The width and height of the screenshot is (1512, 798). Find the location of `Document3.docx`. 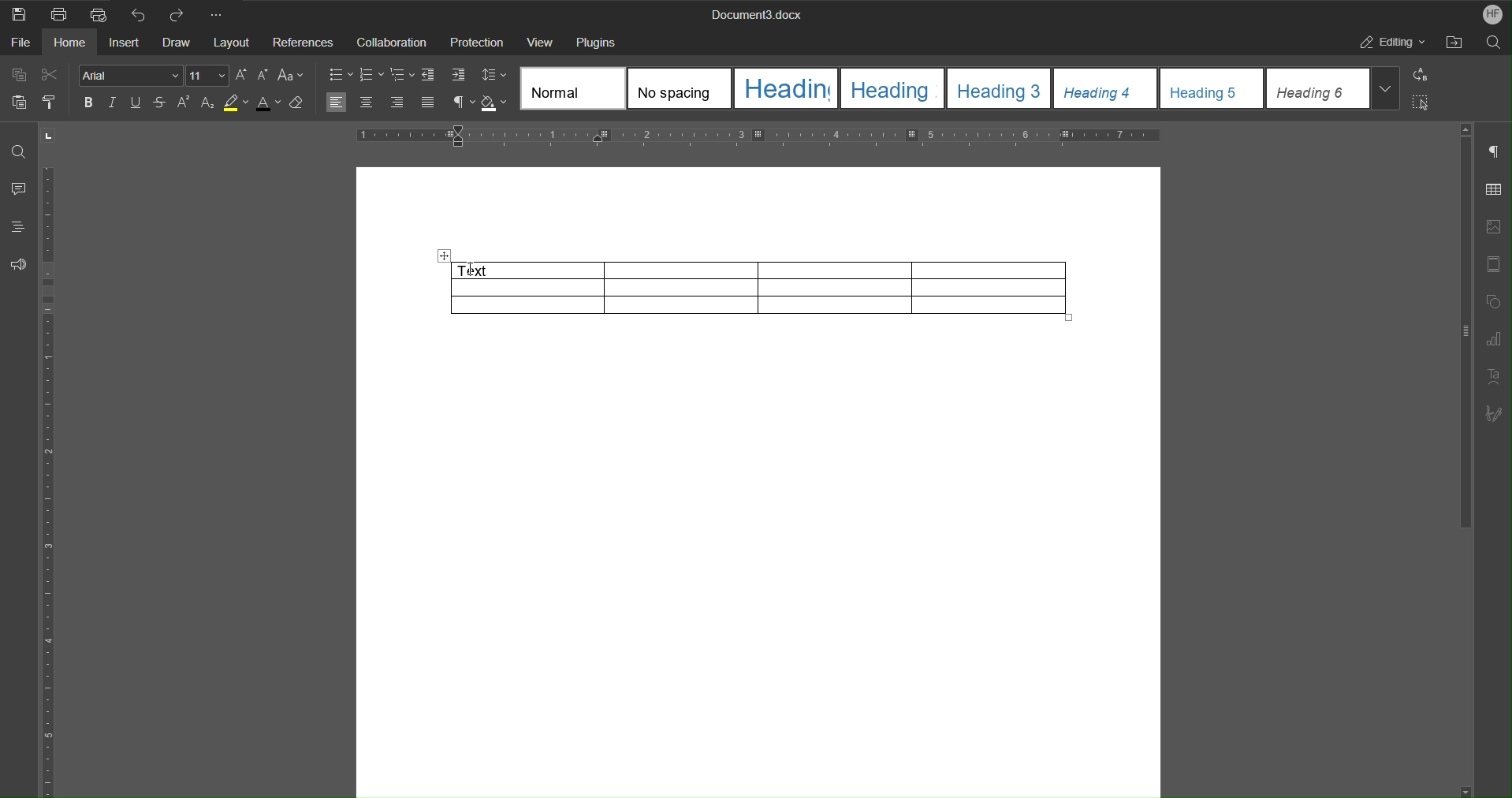

Document3.docx is located at coordinates (758, 13).